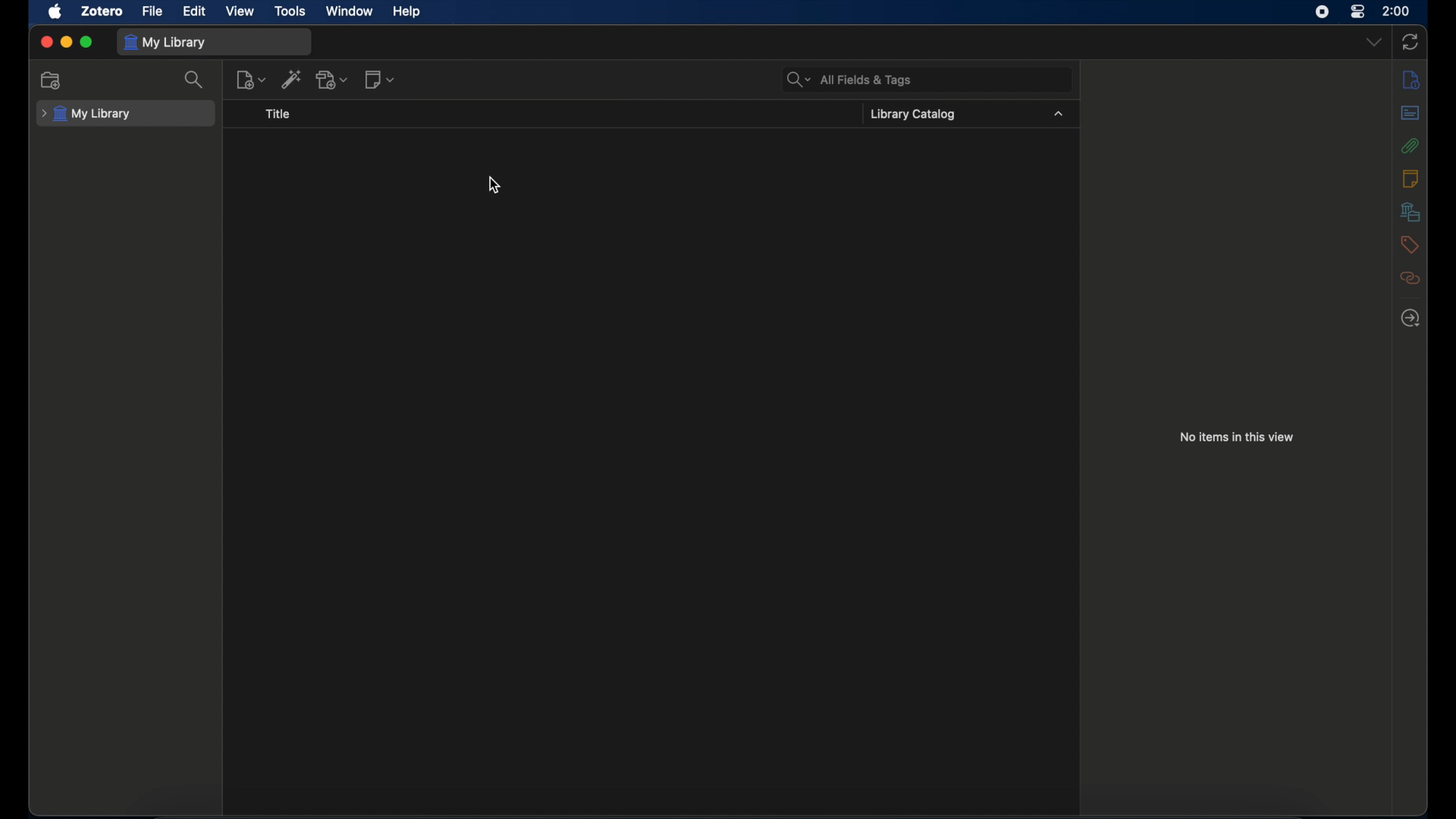  What do you see at coordinates (1410, 113) in the screenshot?
I see `abstract` at bounding box center [1410, 113].